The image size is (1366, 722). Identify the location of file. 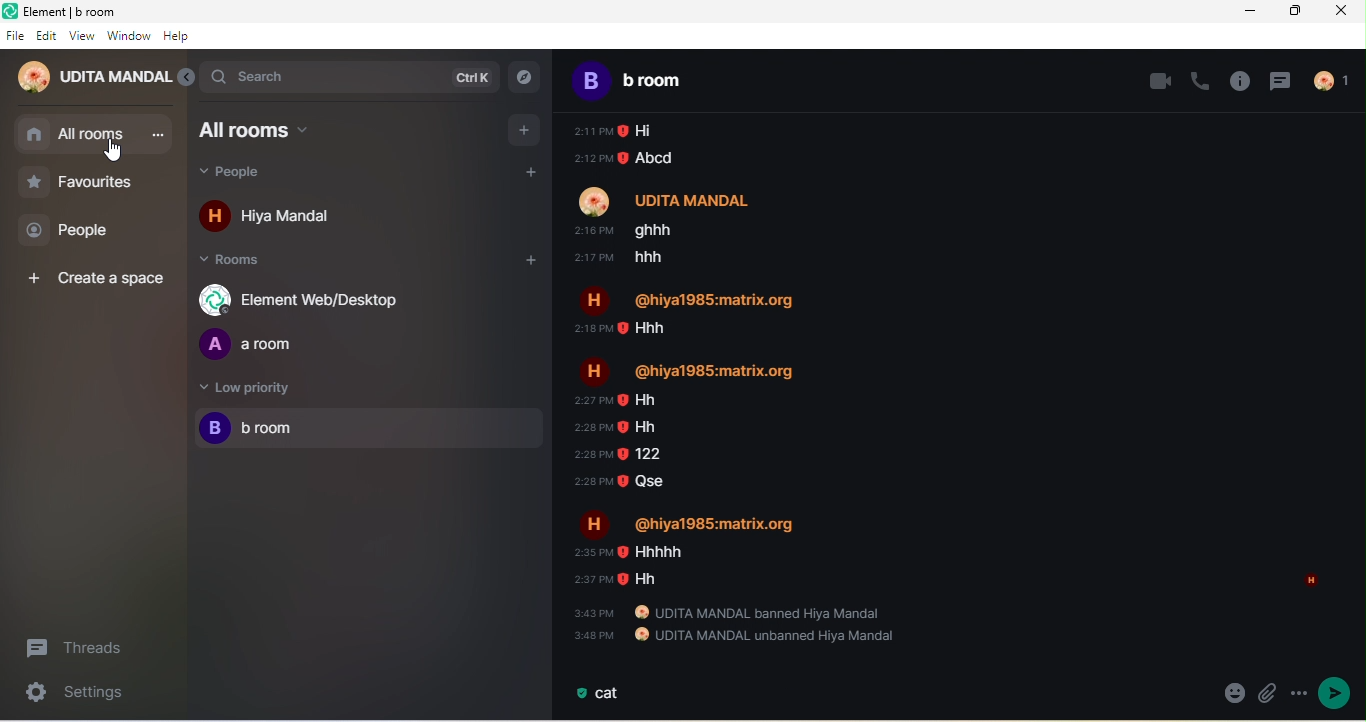
(14, 35).